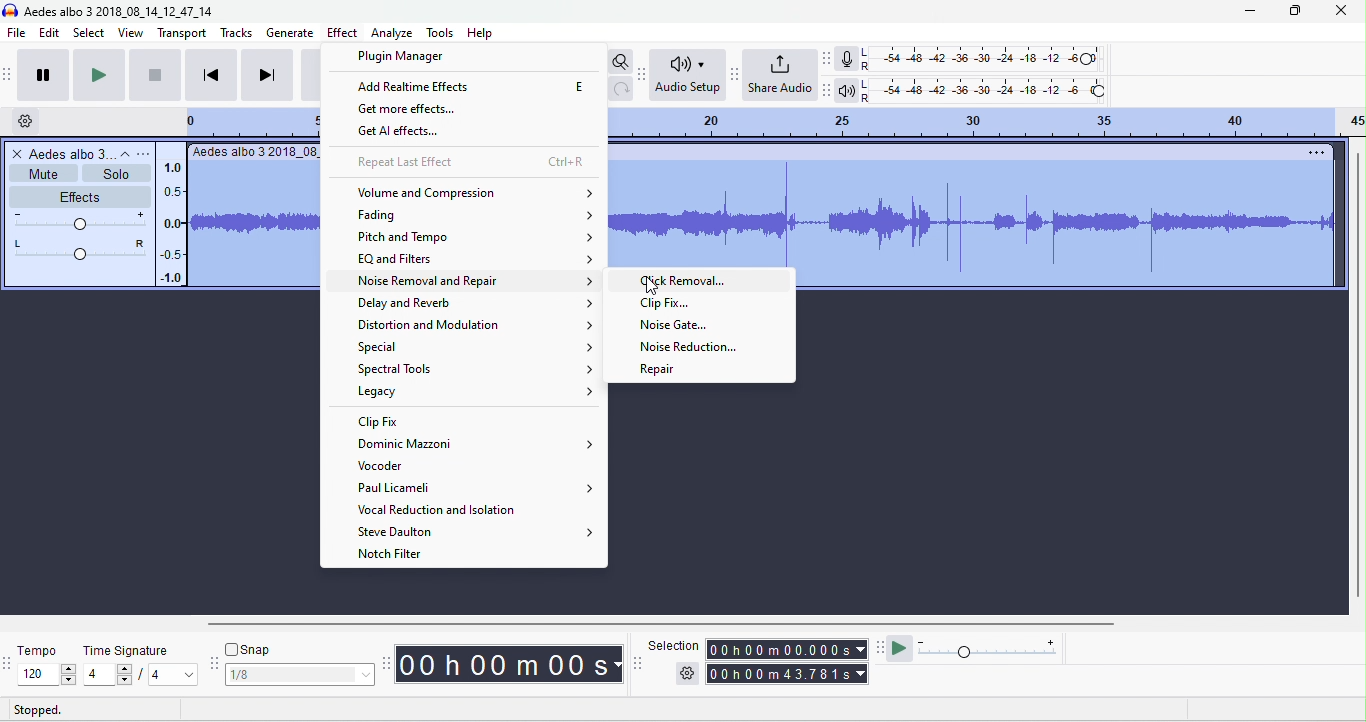 This screenshot has width=1366, height=722. Describe the element at coordinates (44, 74) in the screenshot. I see `pause` at that location.